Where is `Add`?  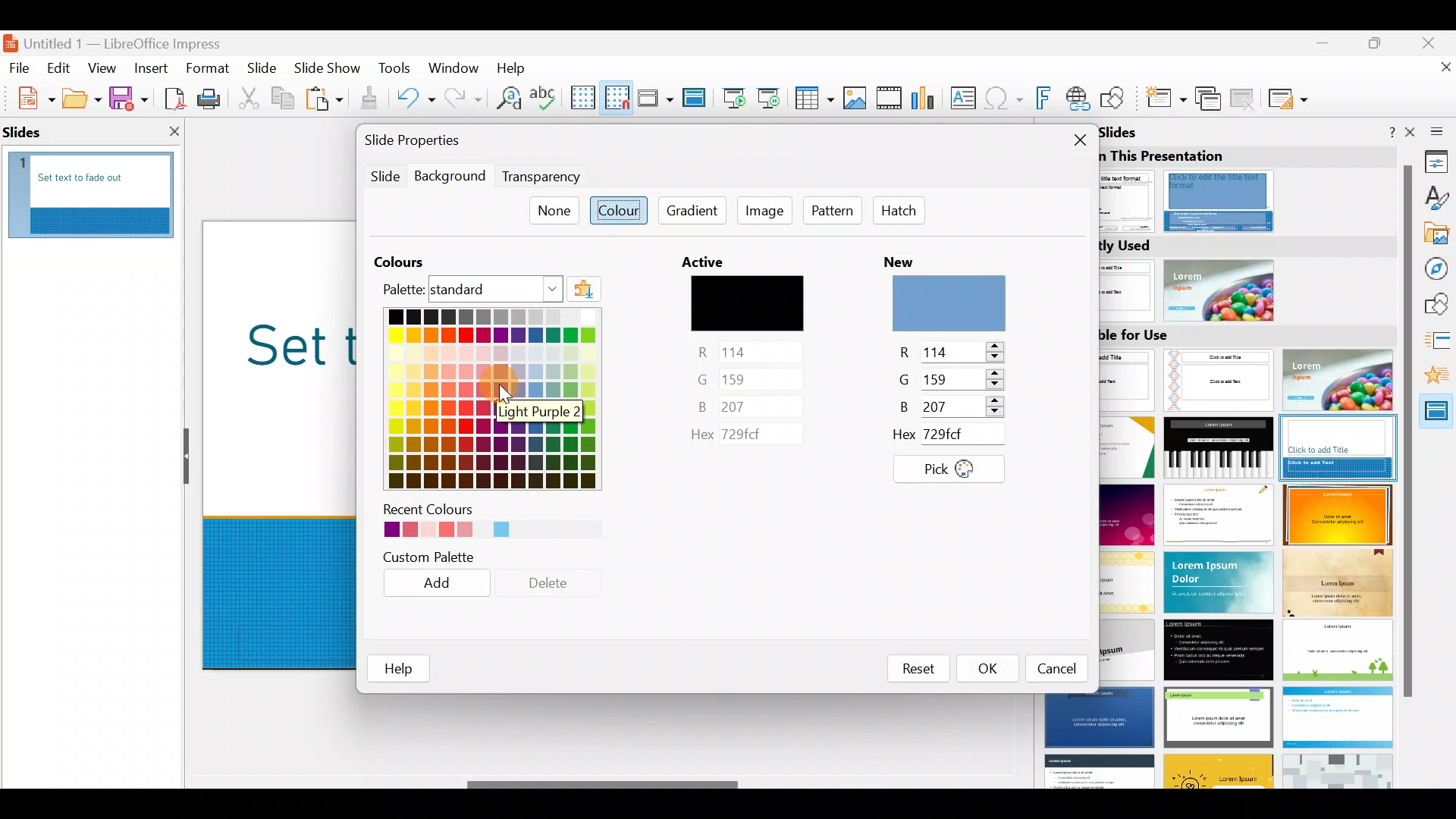 Add is located at coordinates (444, 588).